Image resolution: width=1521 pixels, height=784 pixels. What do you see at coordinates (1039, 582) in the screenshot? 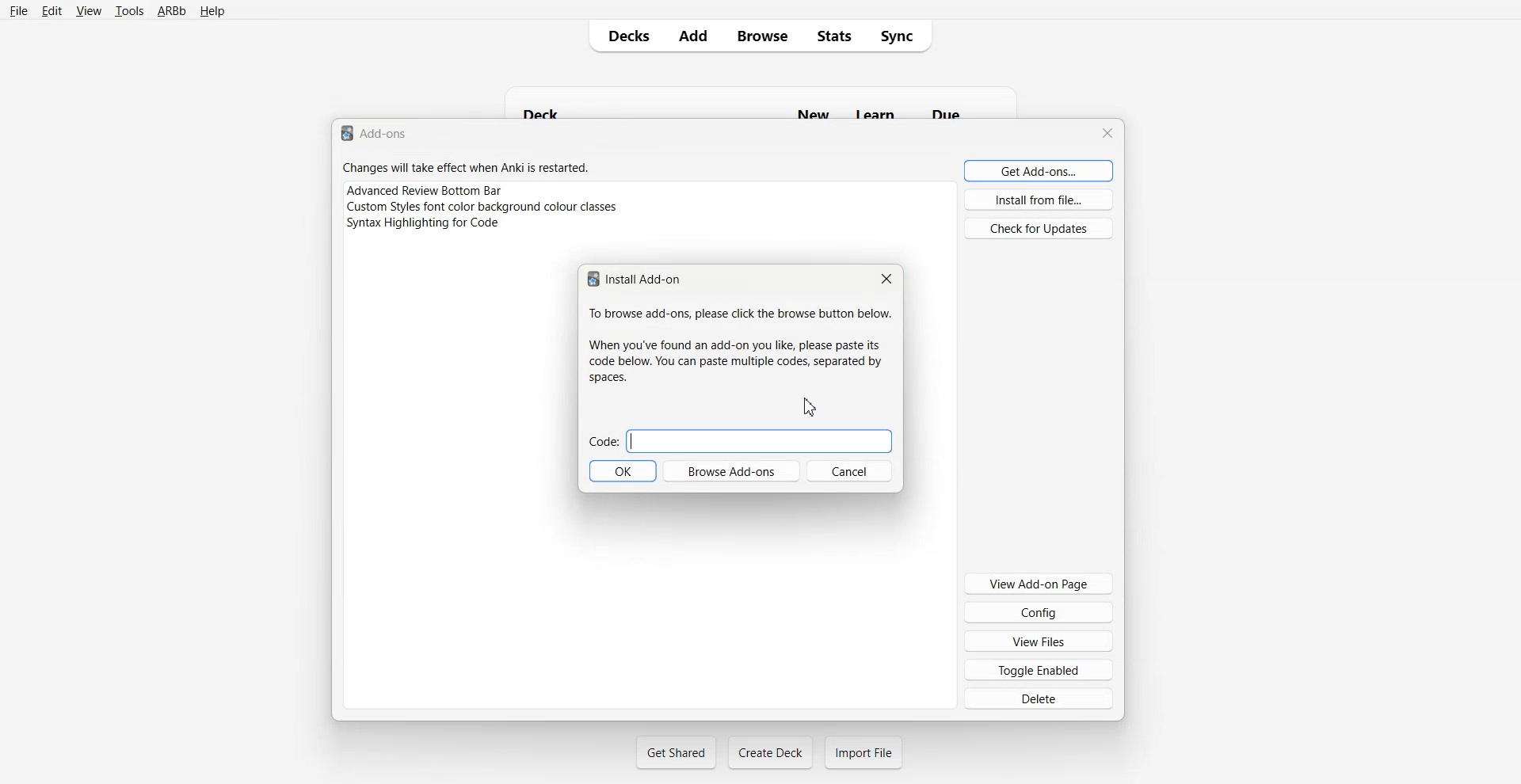
I see `View Add-on Page` at bounding box center [1039, 582].